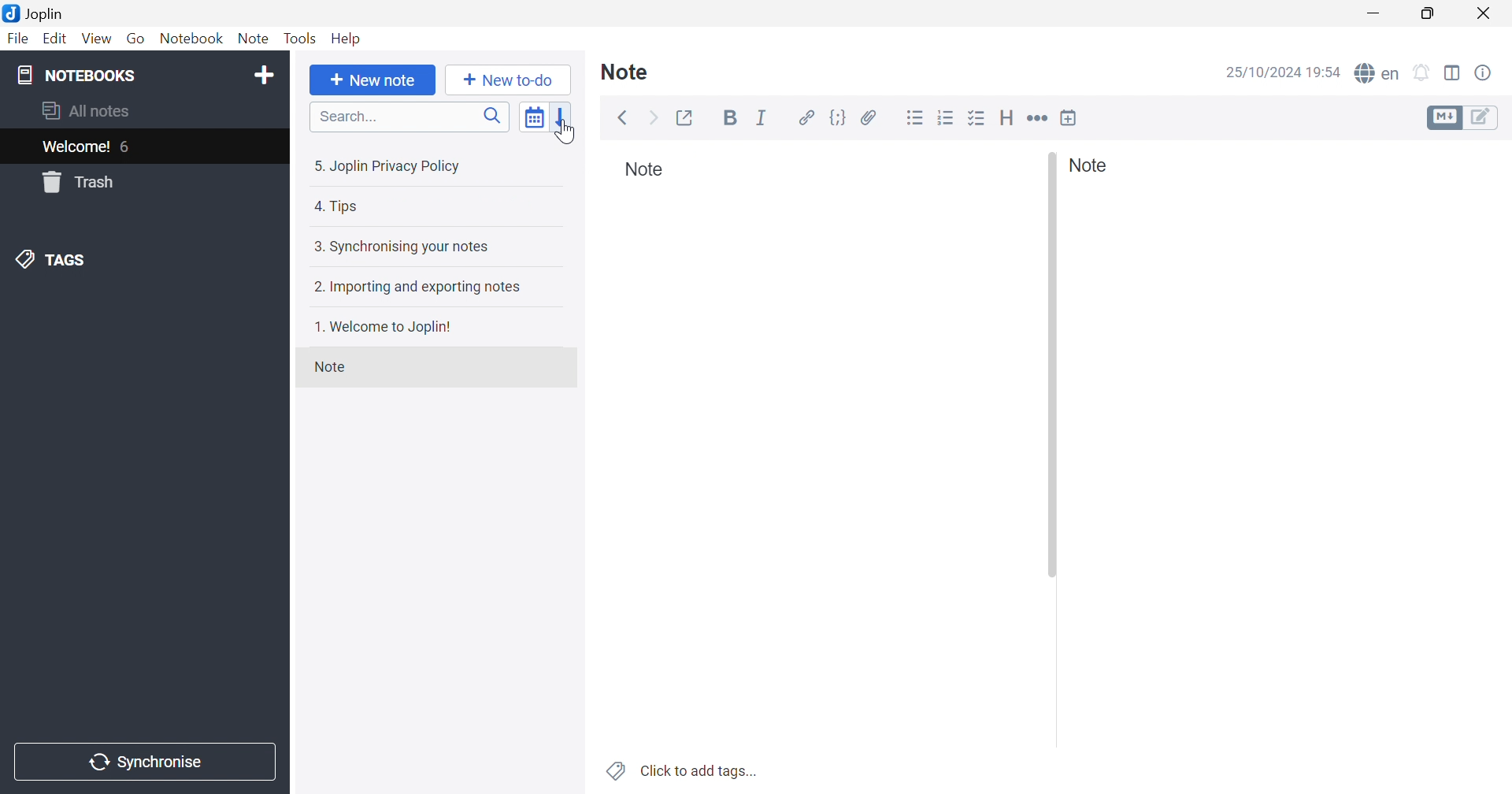 The width and height of the screenshot is (1512, 794). I want to click on Notebook, so click(192, 39).